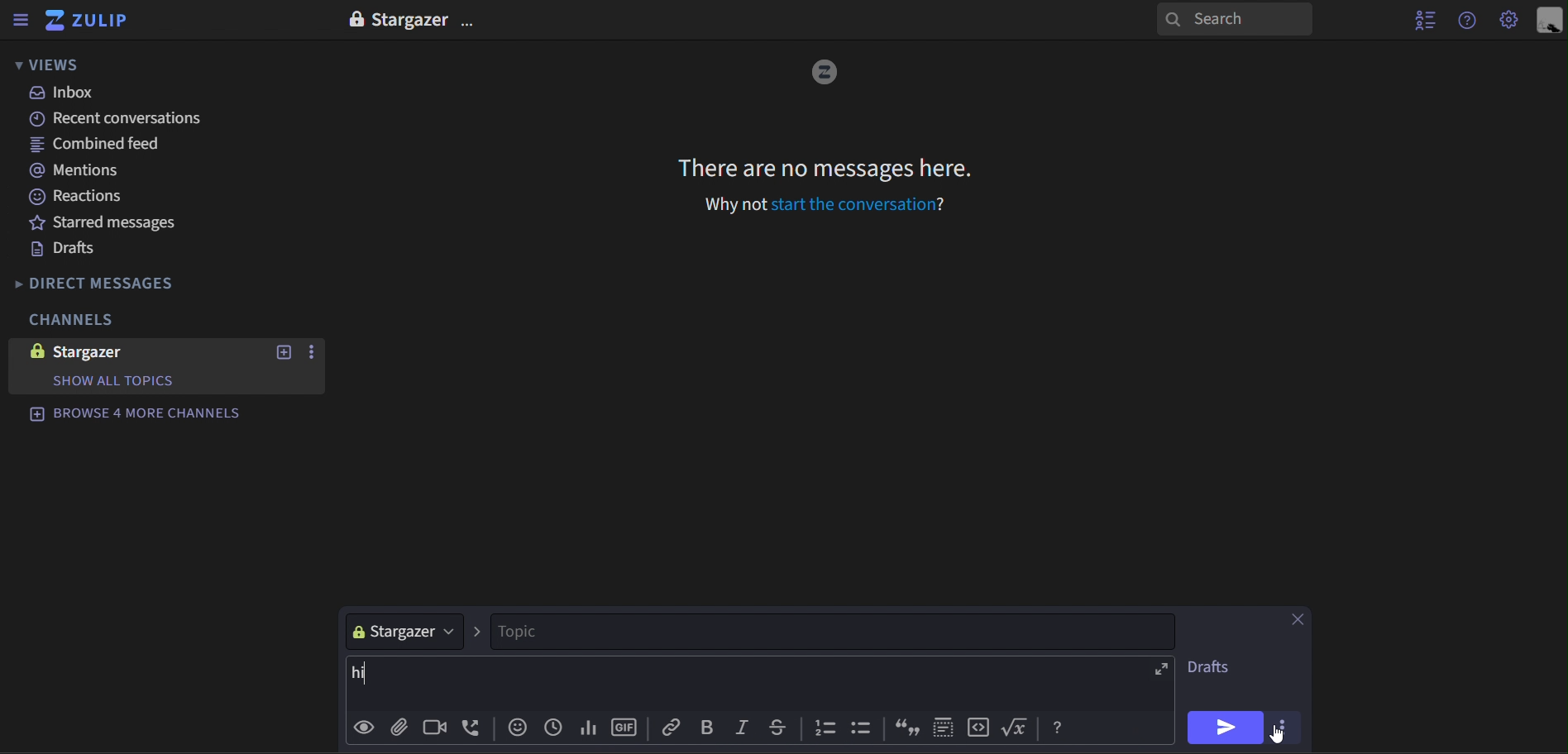 Image resolution: width=1568 pixels, height=754 pixels. I want to click on reactions, so click(111, 198).